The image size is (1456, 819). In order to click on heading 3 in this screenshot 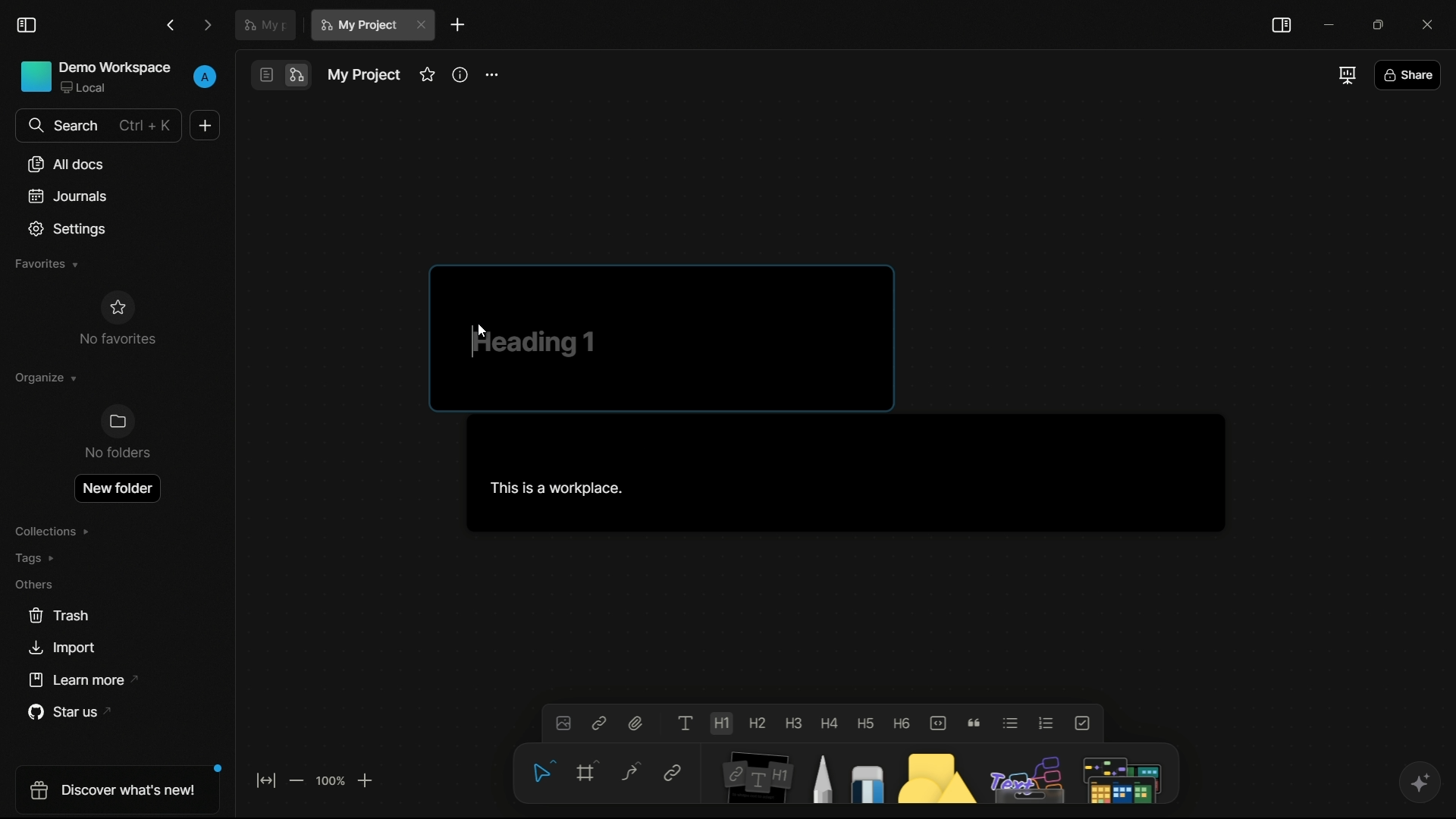, I will do `click(794, 720)`.